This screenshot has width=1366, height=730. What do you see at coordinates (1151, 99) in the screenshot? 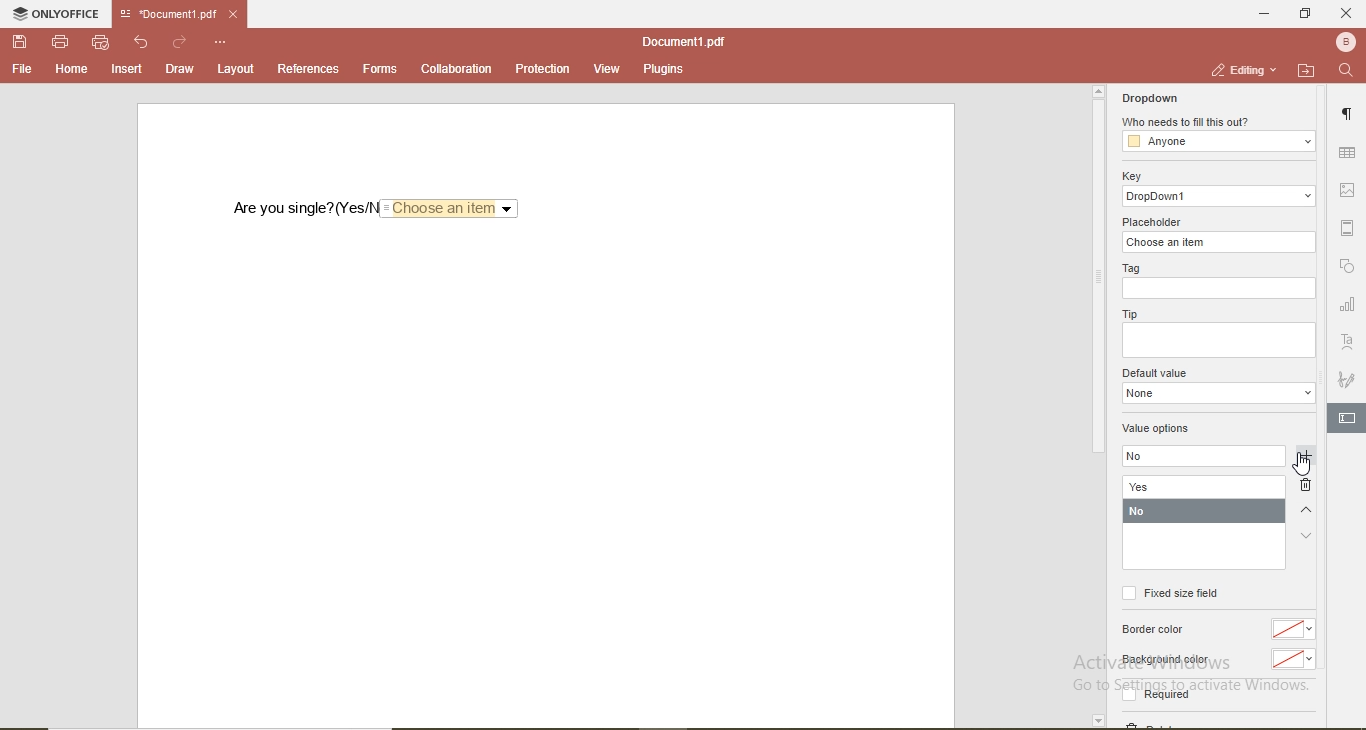
I see `dropdown` at bounding box center [1151, 99].